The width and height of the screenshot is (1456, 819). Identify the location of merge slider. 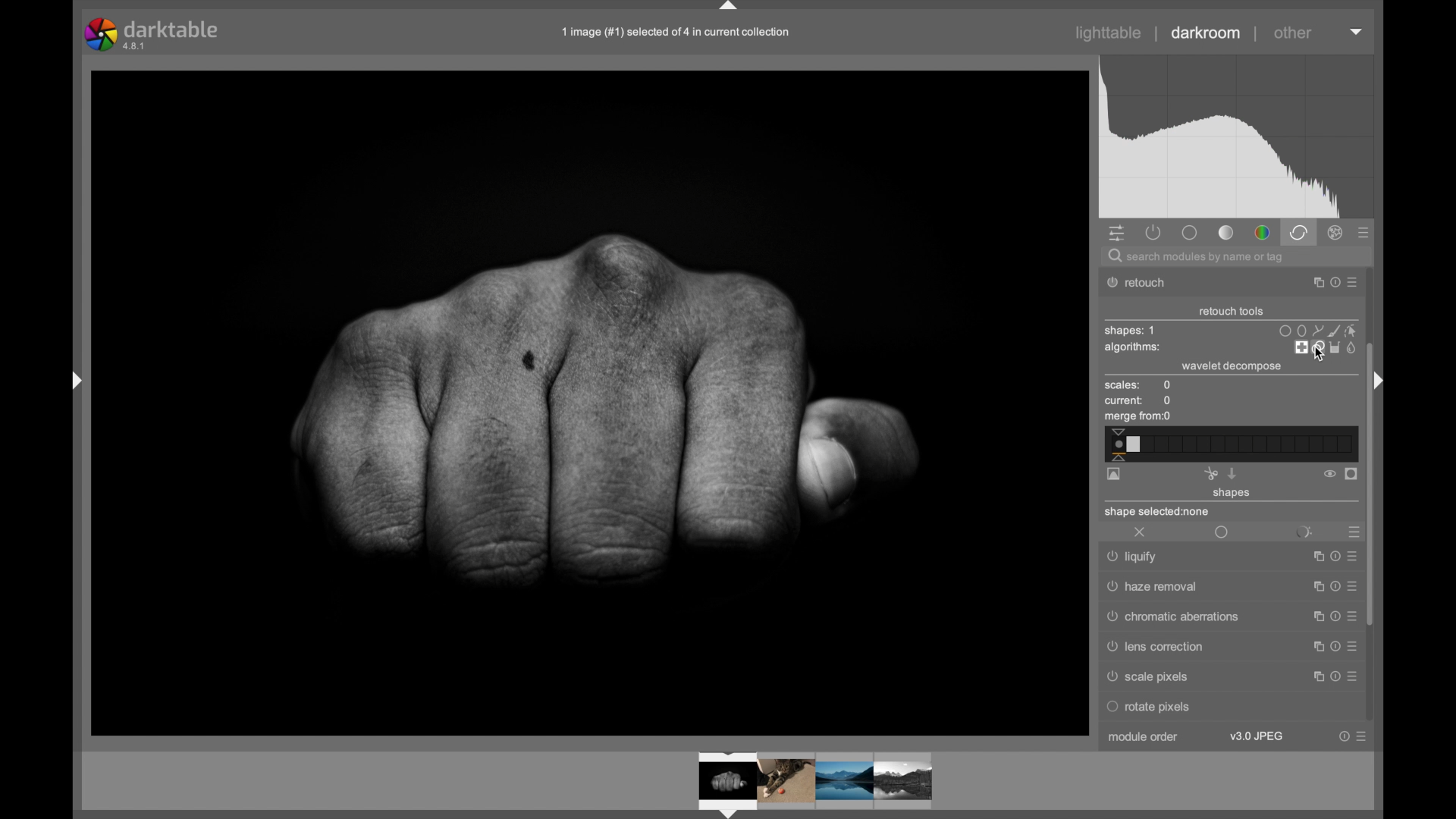
(1229, 444).